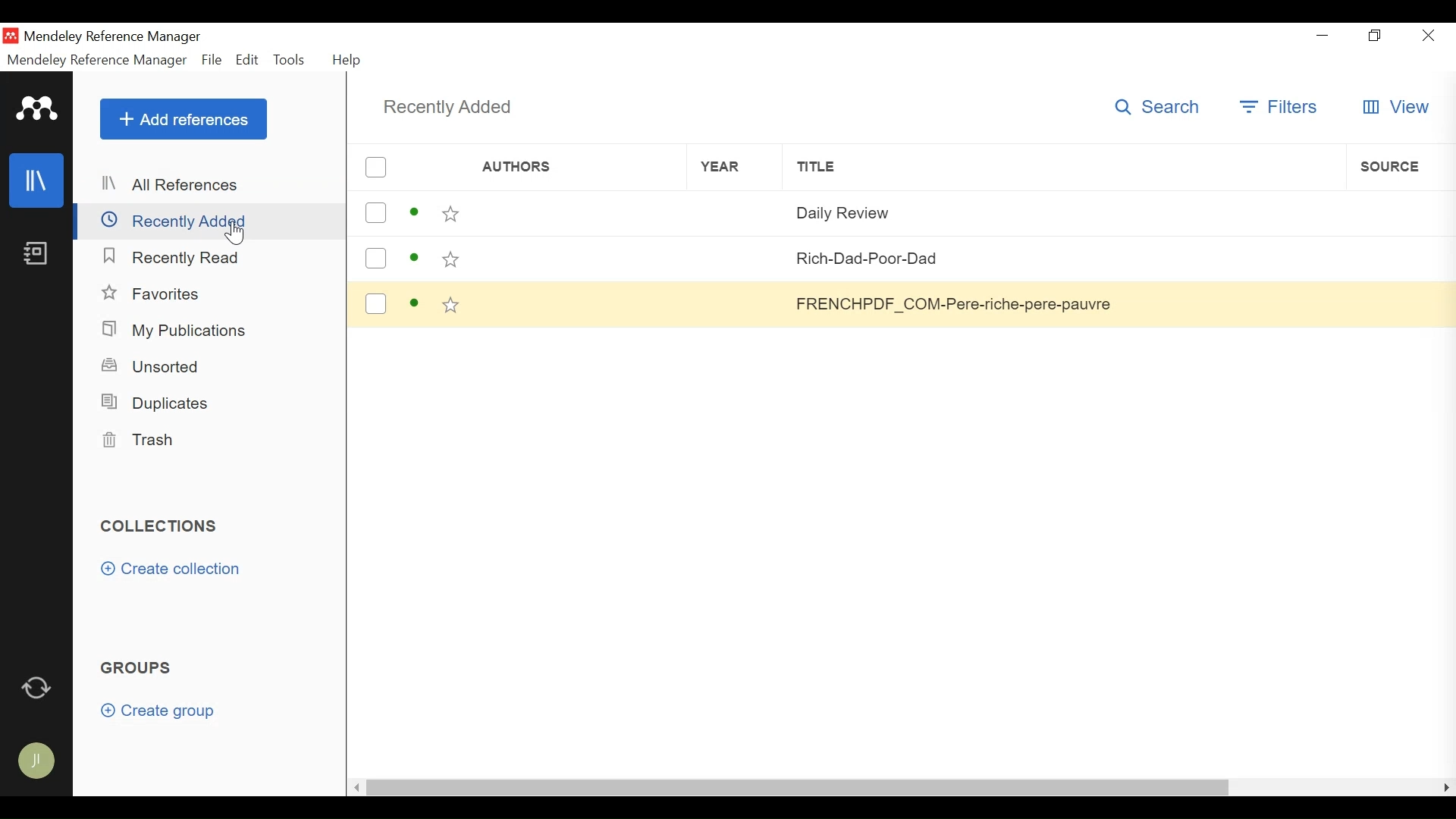 This screenshot has width=1456, height=819. What do you see at coordinates (1395, 108) in the screenshot?
I see `View` at bounding box center [1395, 108].